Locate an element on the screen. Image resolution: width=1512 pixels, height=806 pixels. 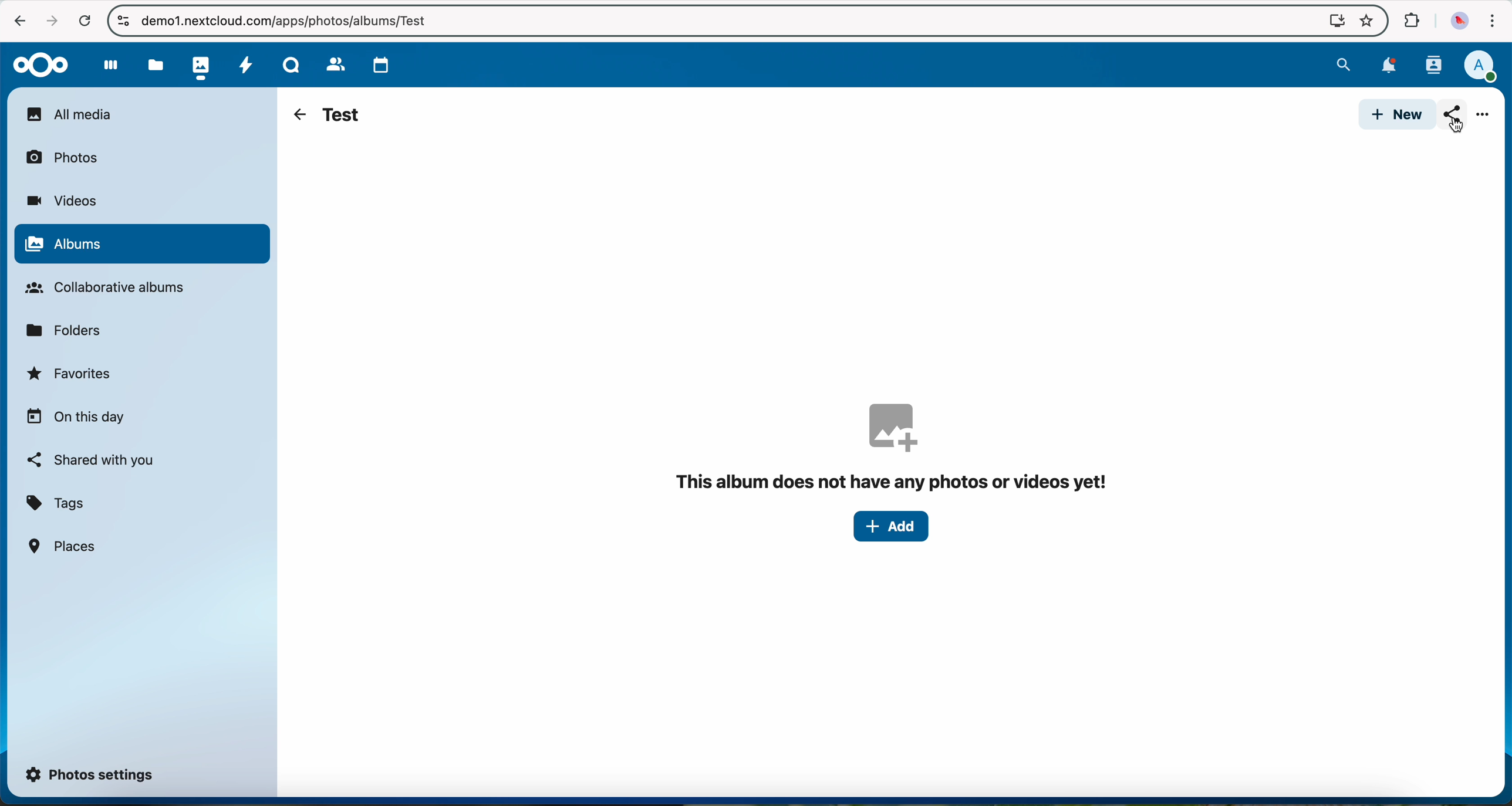
all media is located at coordinates (141, 114).